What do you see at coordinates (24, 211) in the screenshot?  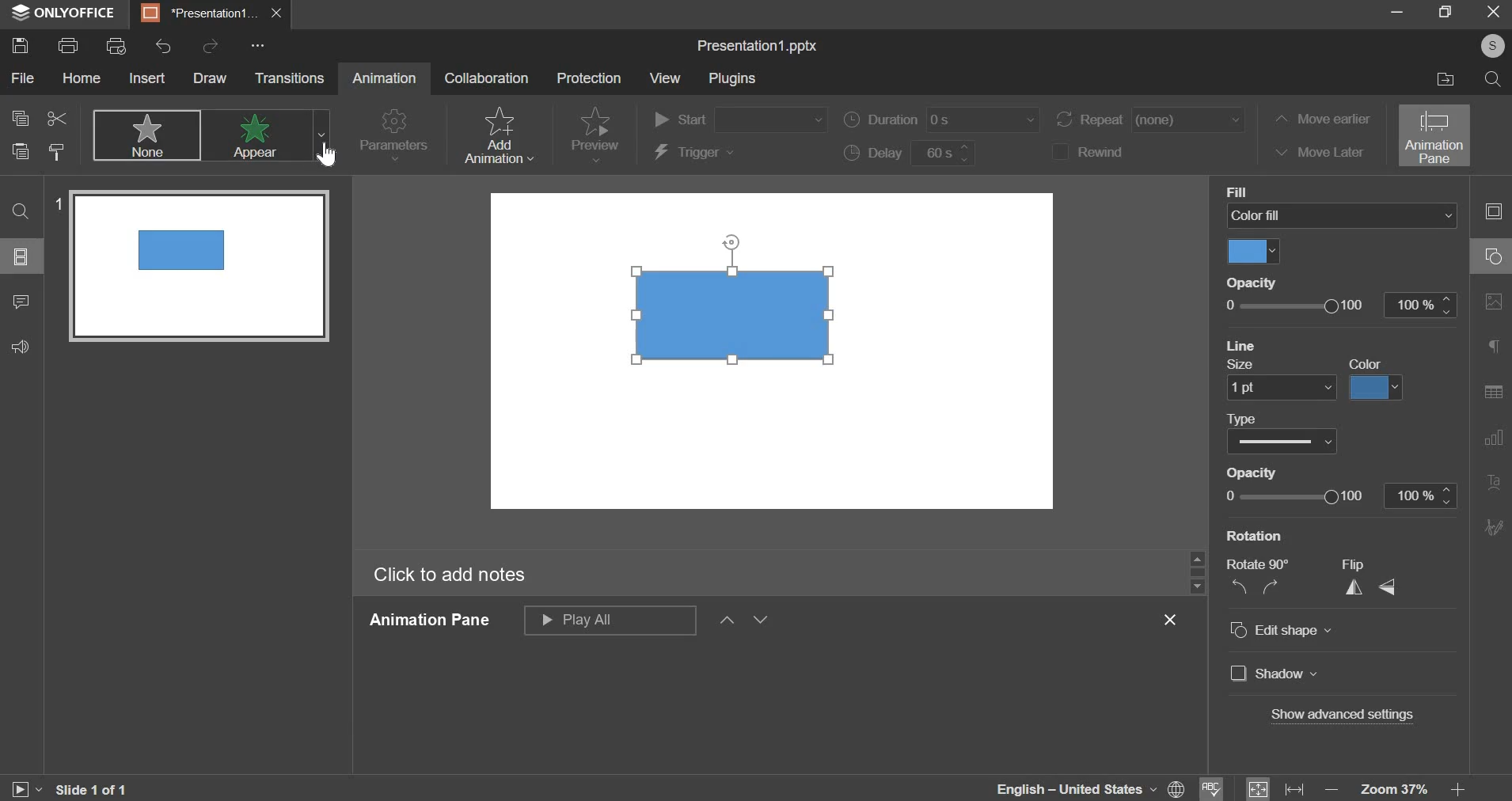 I see `search` at bounding box center [24, 211].